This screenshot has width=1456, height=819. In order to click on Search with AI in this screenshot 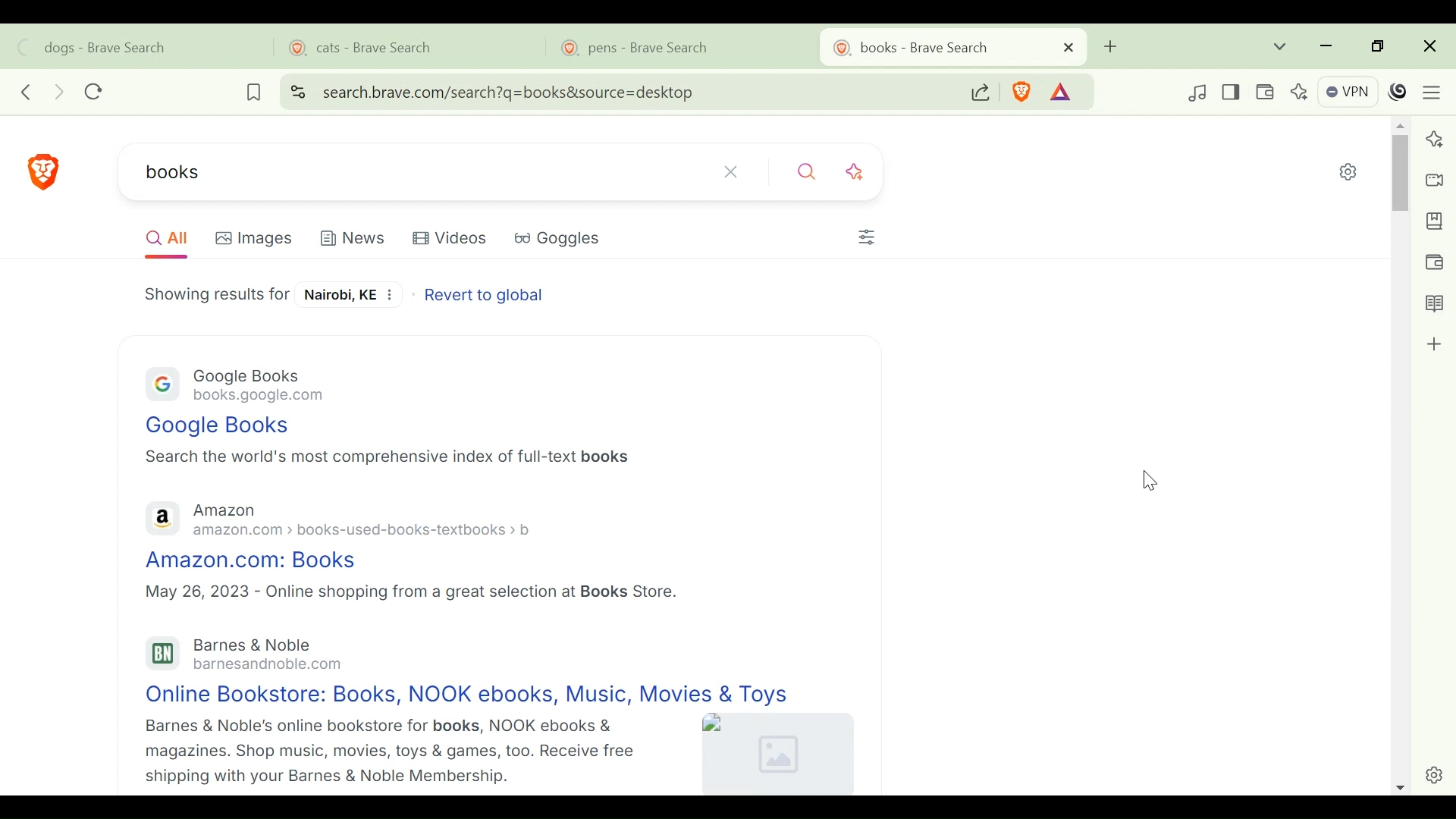, I will do `click(854, 172)`.